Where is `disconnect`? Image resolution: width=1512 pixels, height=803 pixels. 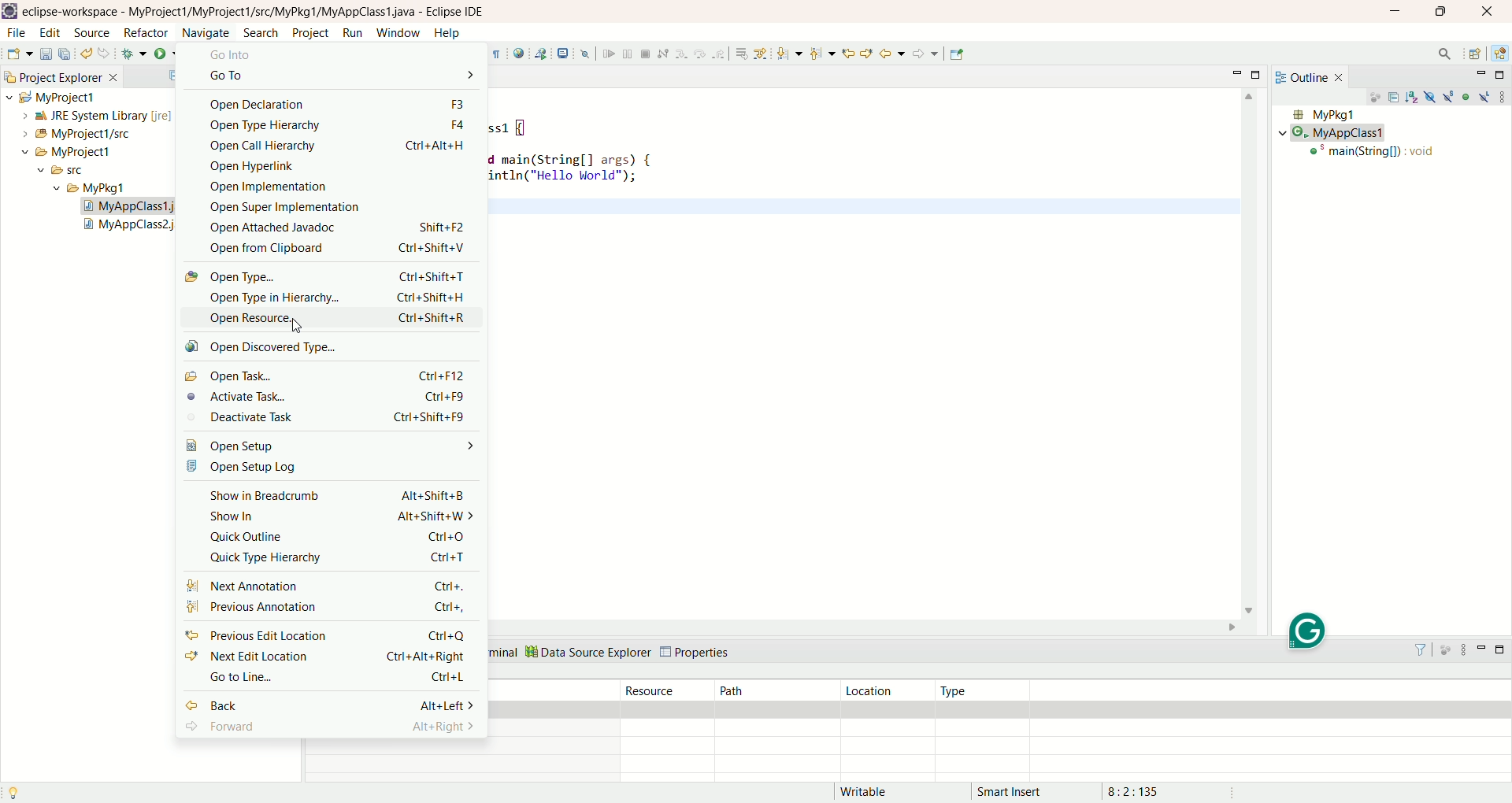
disconnect is located at coordinates (662, 54).